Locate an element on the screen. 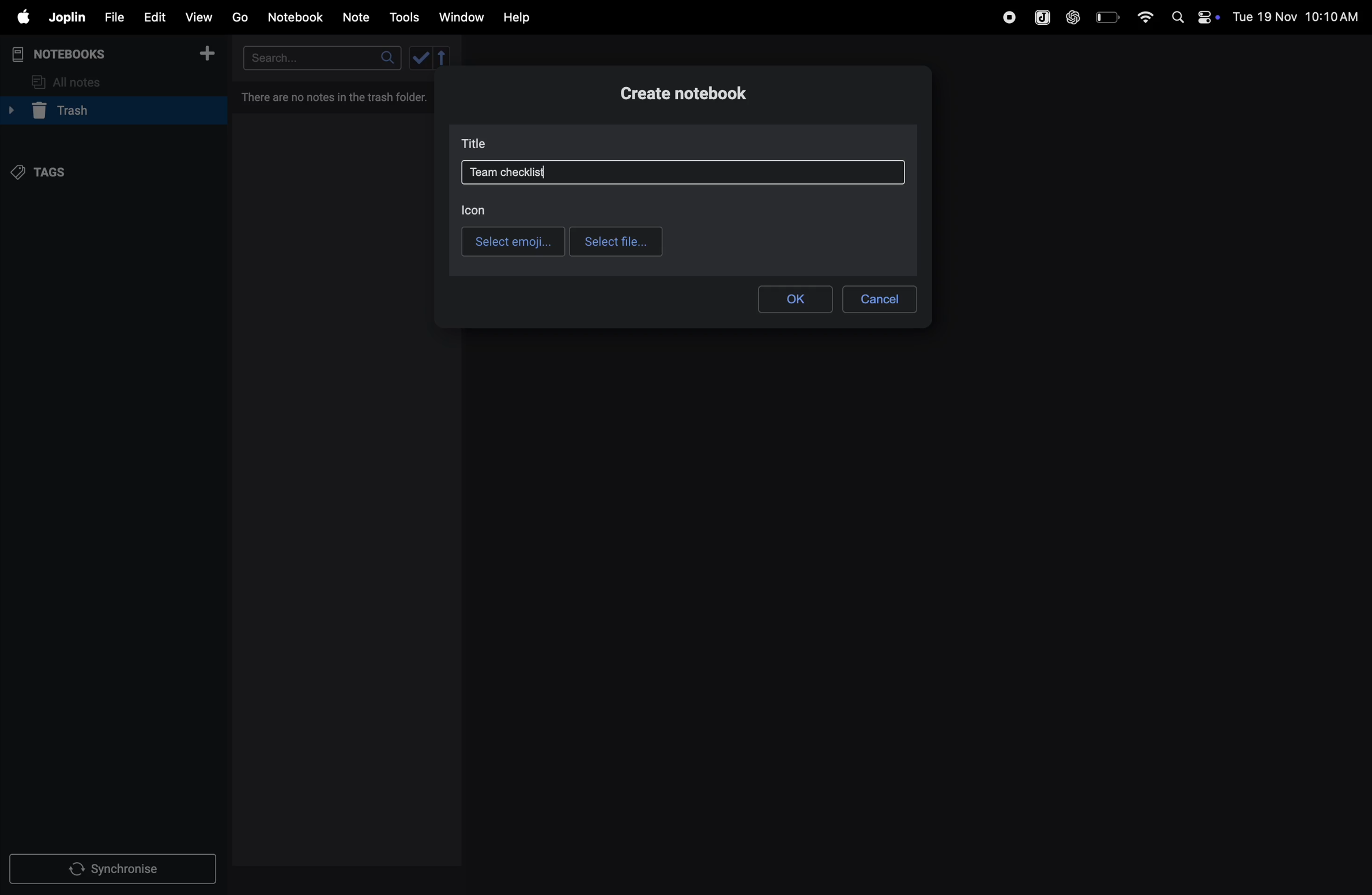  apple menu is located at coordinates (22, 18).